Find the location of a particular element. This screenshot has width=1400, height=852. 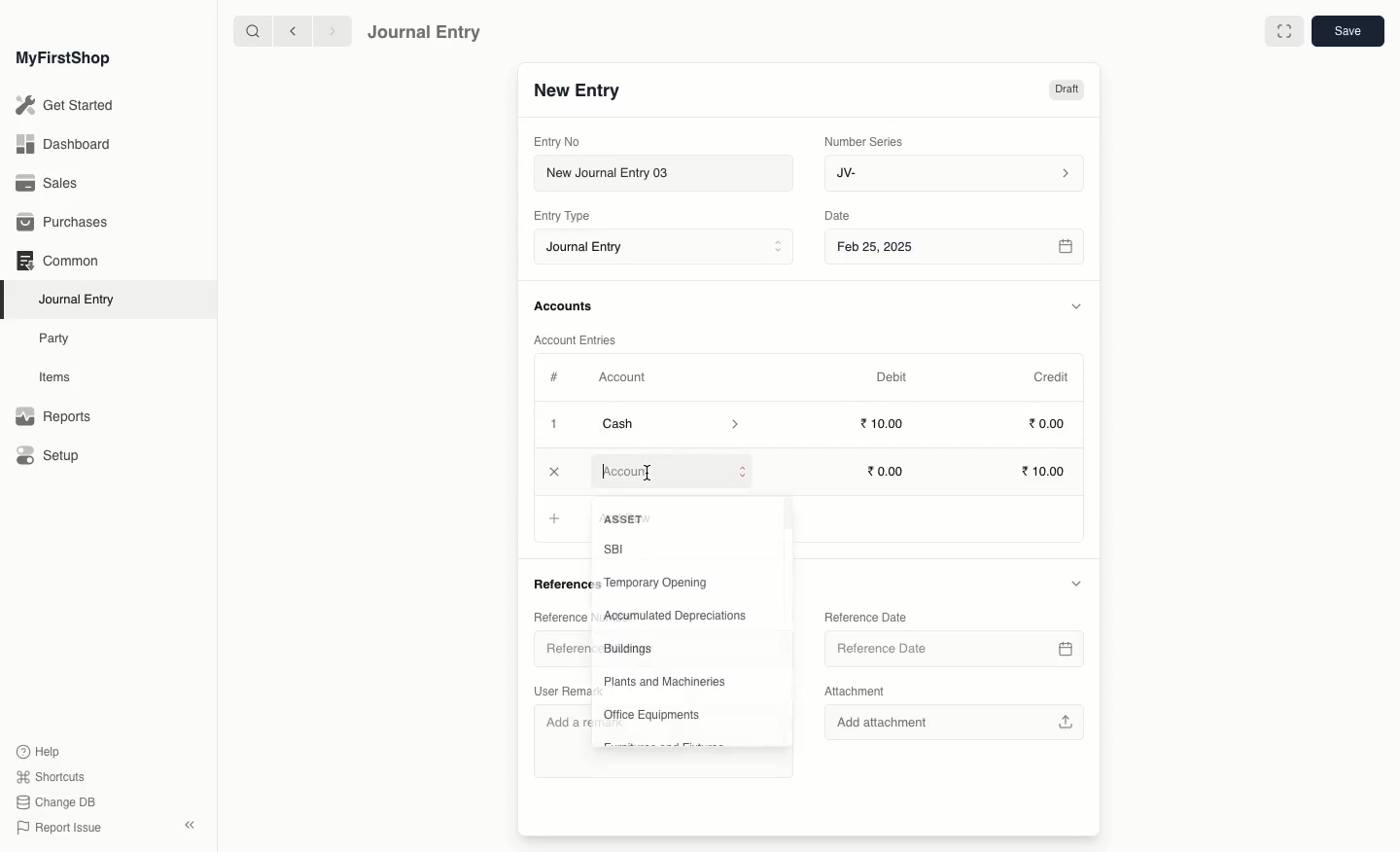

Collapse is located at coordinates (190, 825).